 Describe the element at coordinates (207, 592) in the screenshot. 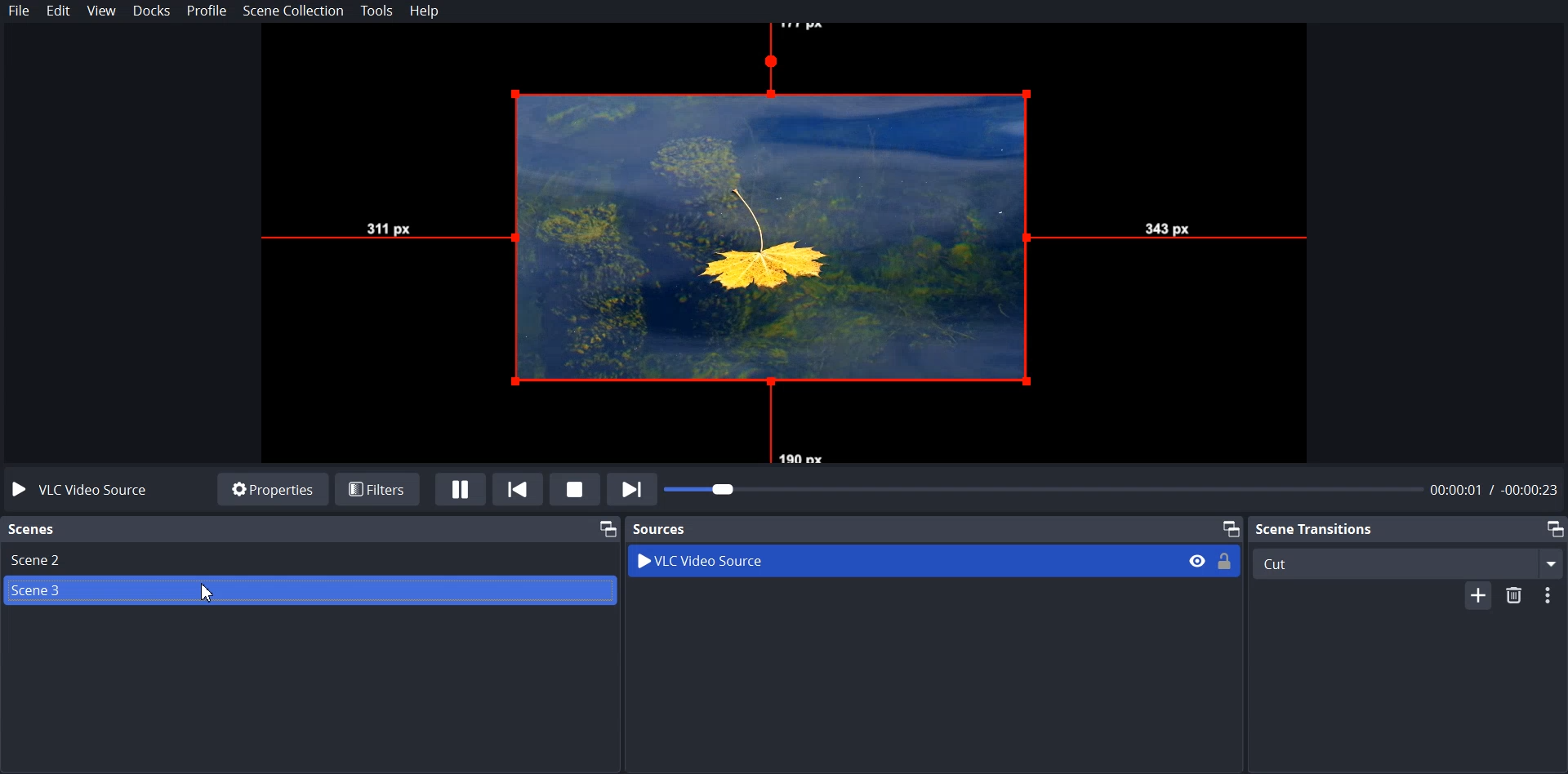

I see `Cursor` at that location.